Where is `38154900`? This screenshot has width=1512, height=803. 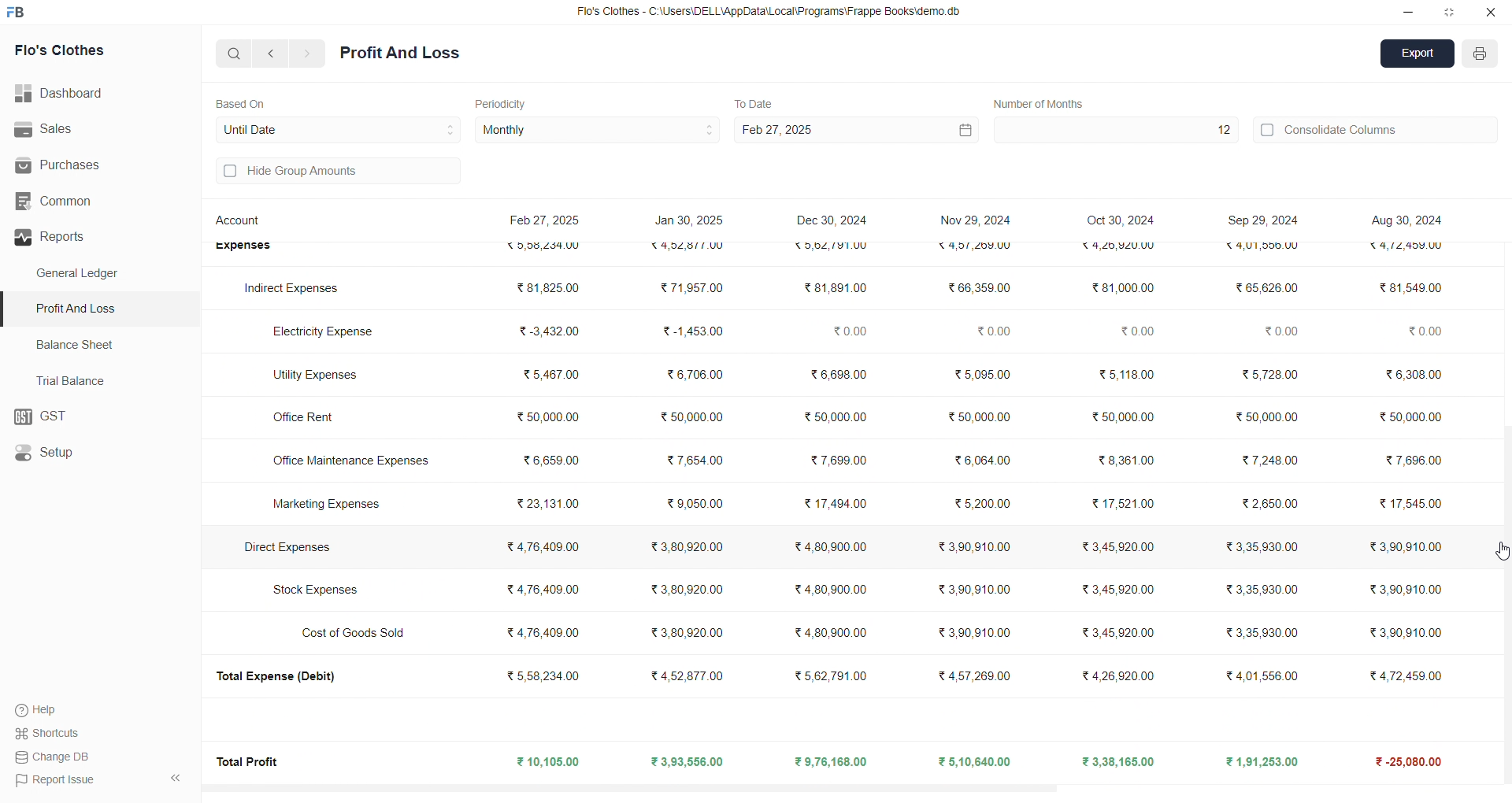
38154900 is located at coordinates (1410, 287).